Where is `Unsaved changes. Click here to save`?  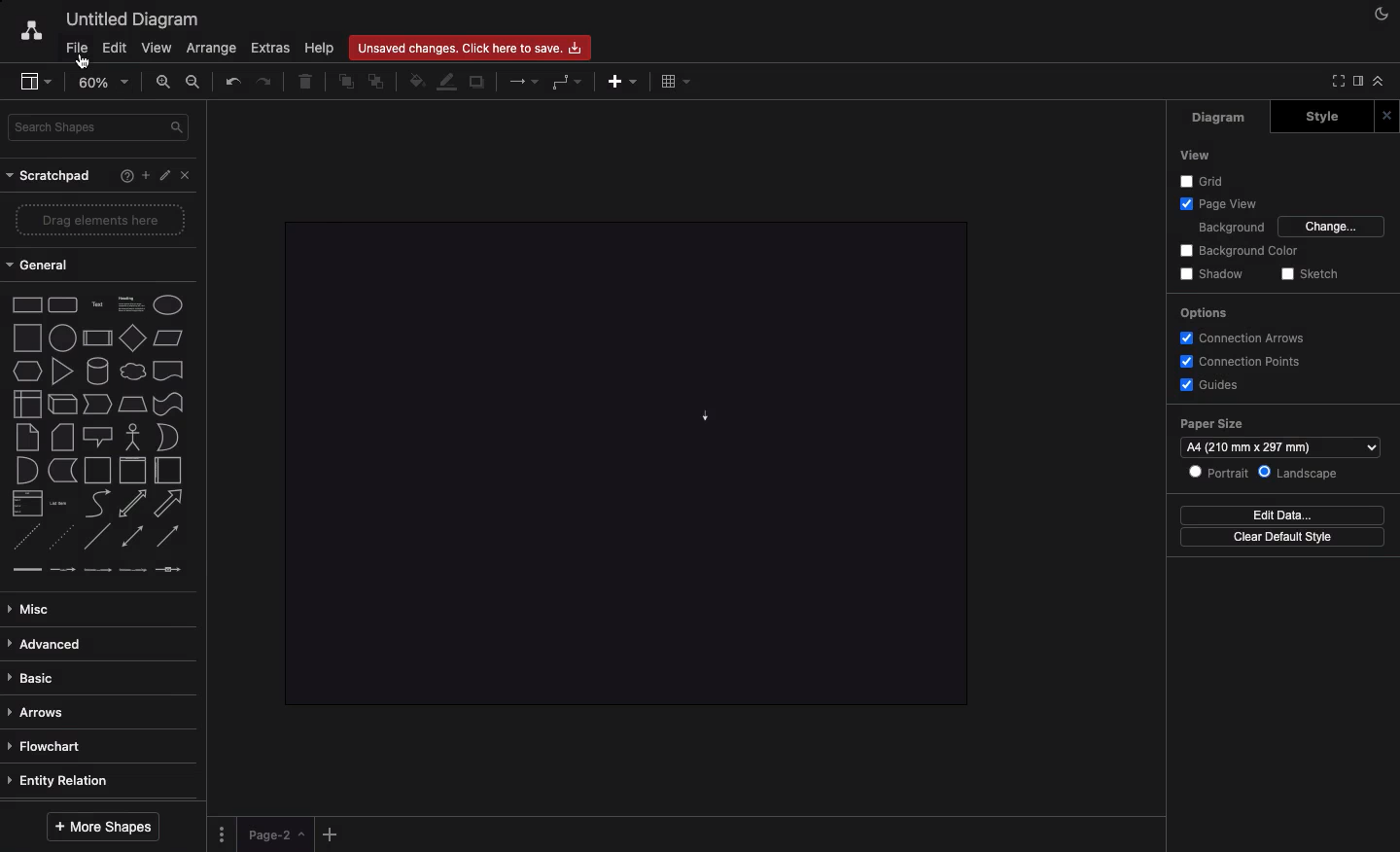
Unsaved changes. Click here to save is located at coordinates (472, 47).